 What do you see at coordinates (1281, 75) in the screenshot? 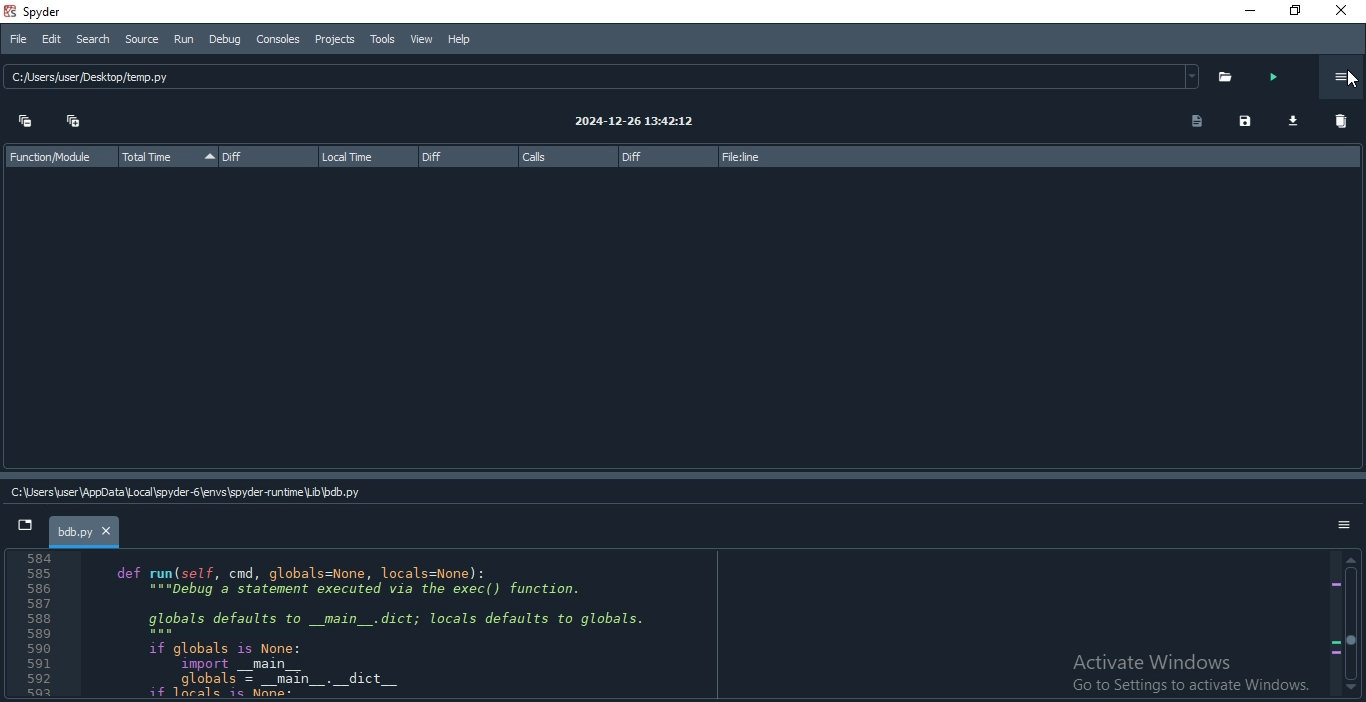
I see `run` at bounding box center [1281, 75].